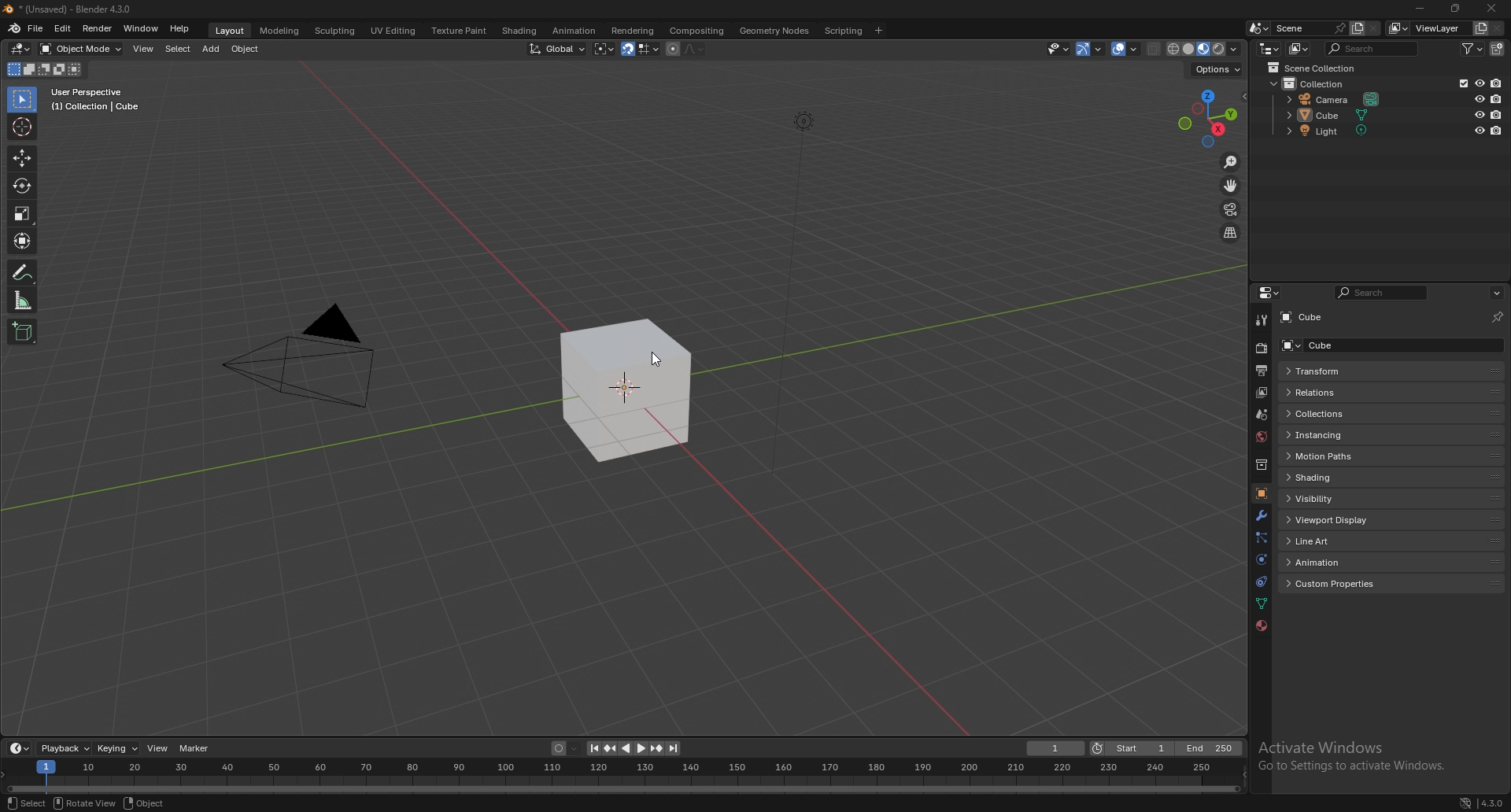  I want to click on custom properties, so click(1391, 584).